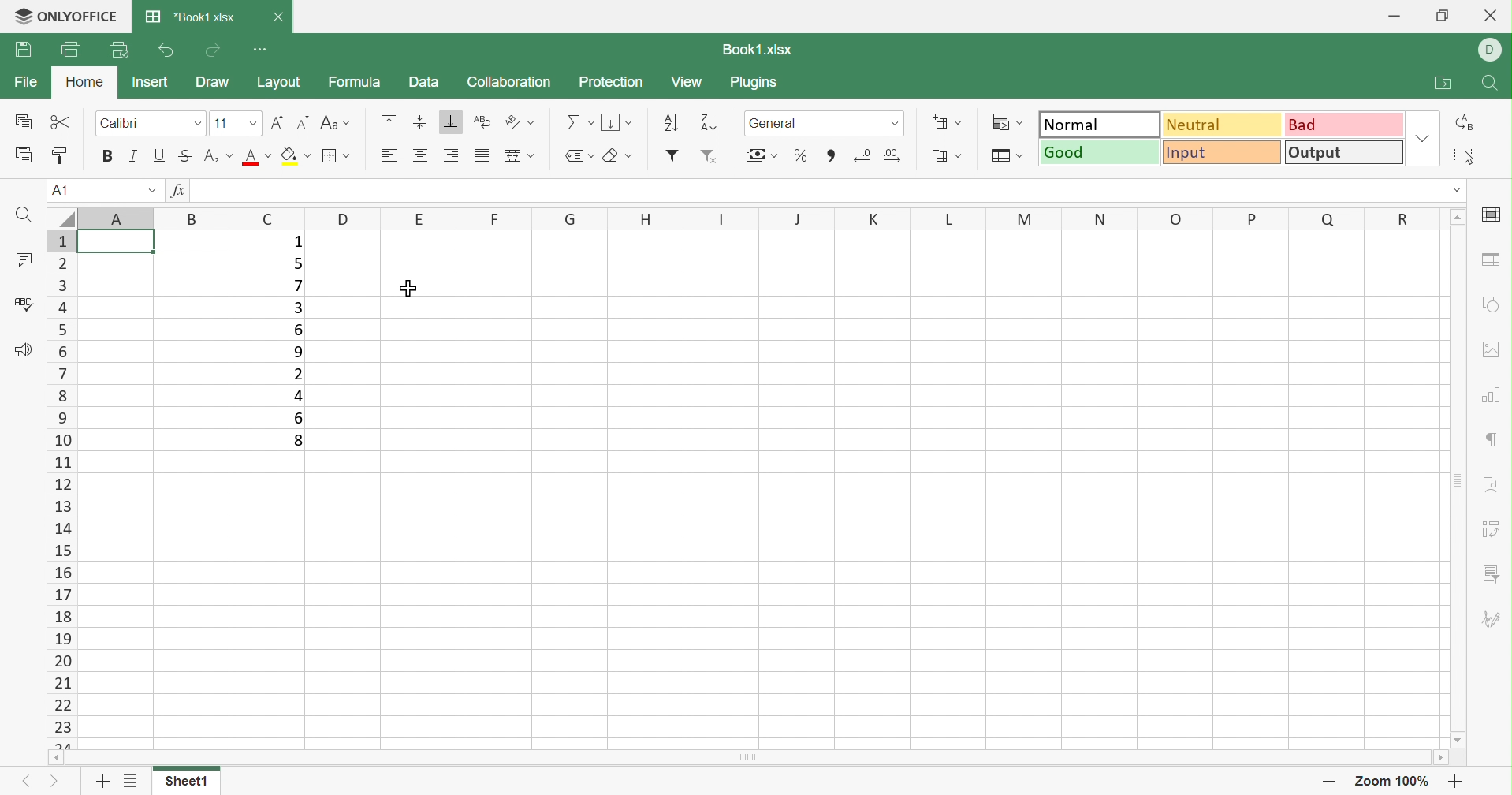 The height and width of the screenshot is (795, 1512). What do you see at coordinates (58, 756) in the screenshot?
I see `Scroll Left` at bounding box center [58, 756].